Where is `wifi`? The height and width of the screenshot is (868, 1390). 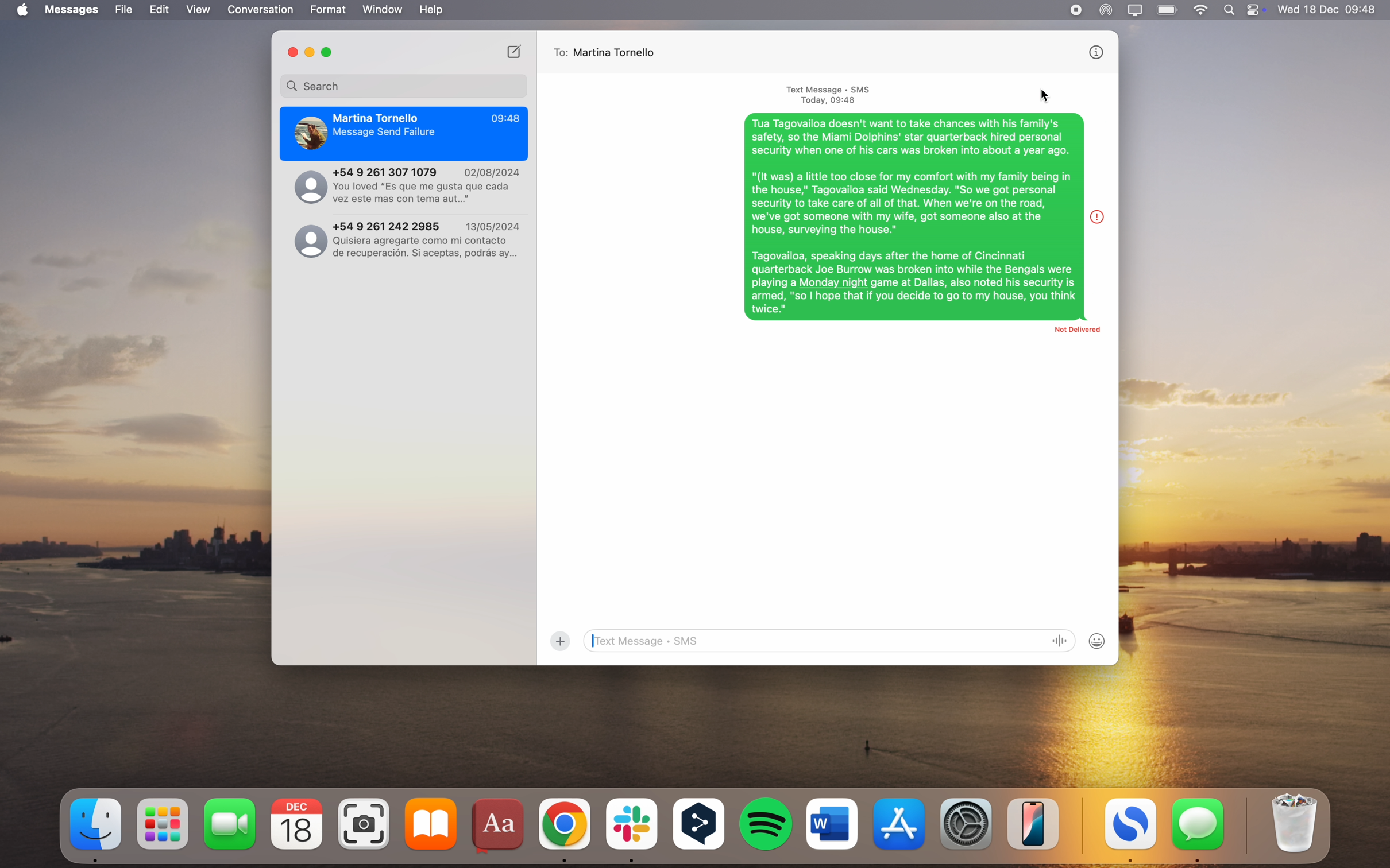
wifi is located at coordinates (1202, 10).